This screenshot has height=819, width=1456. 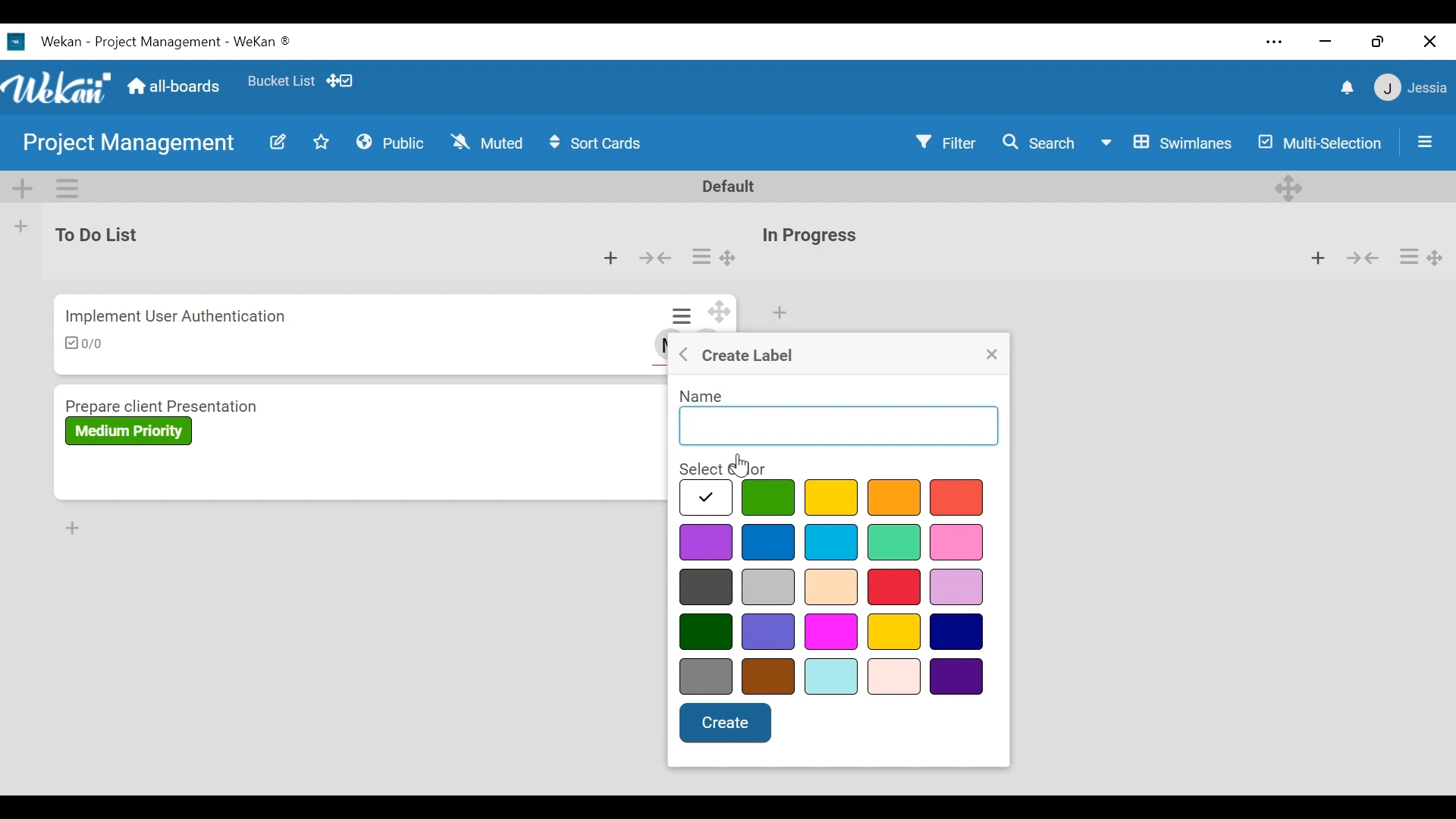 I want to click on Multi-Selection, so click(x=1321, y=143).